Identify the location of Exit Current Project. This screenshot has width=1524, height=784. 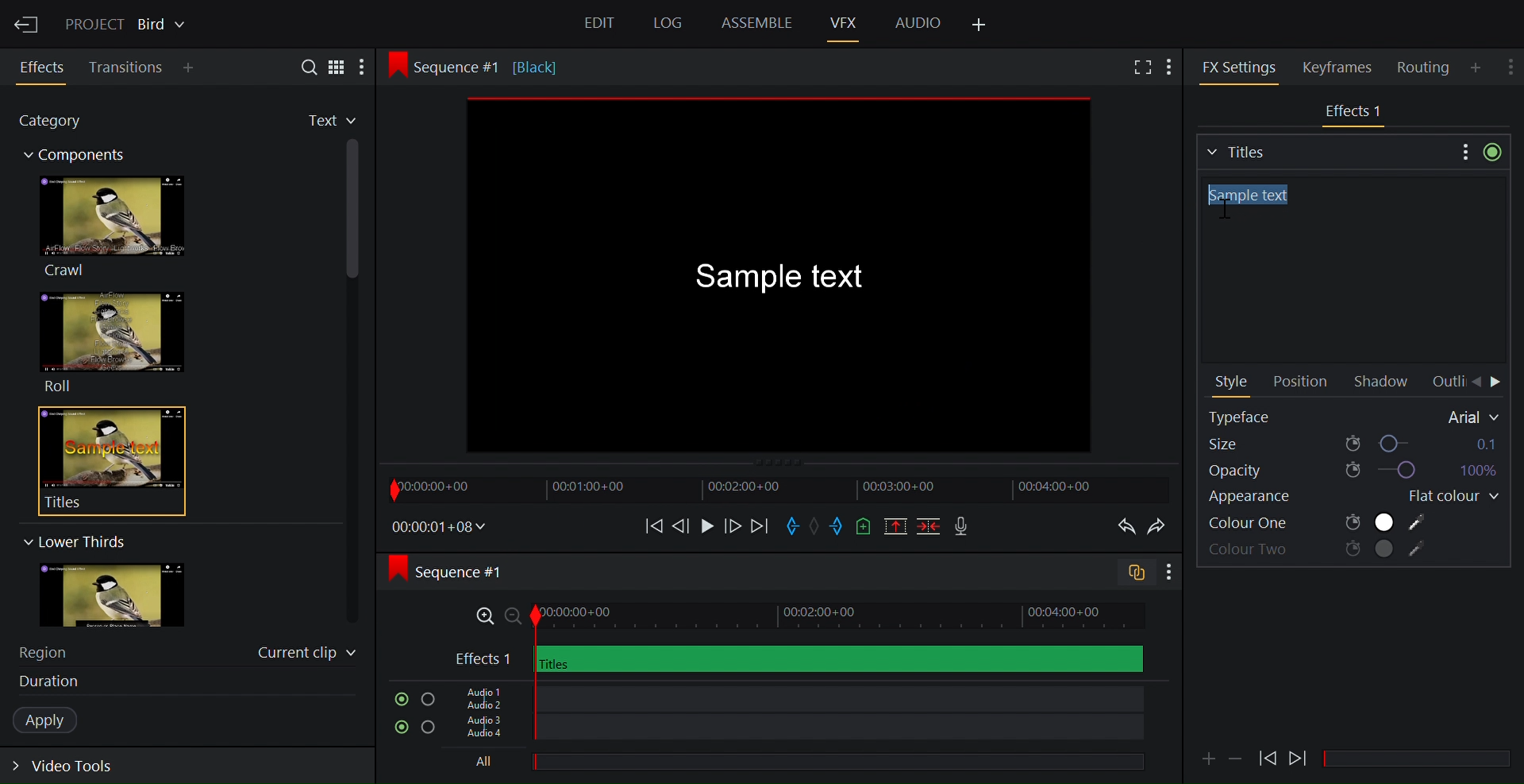
(28, 22).